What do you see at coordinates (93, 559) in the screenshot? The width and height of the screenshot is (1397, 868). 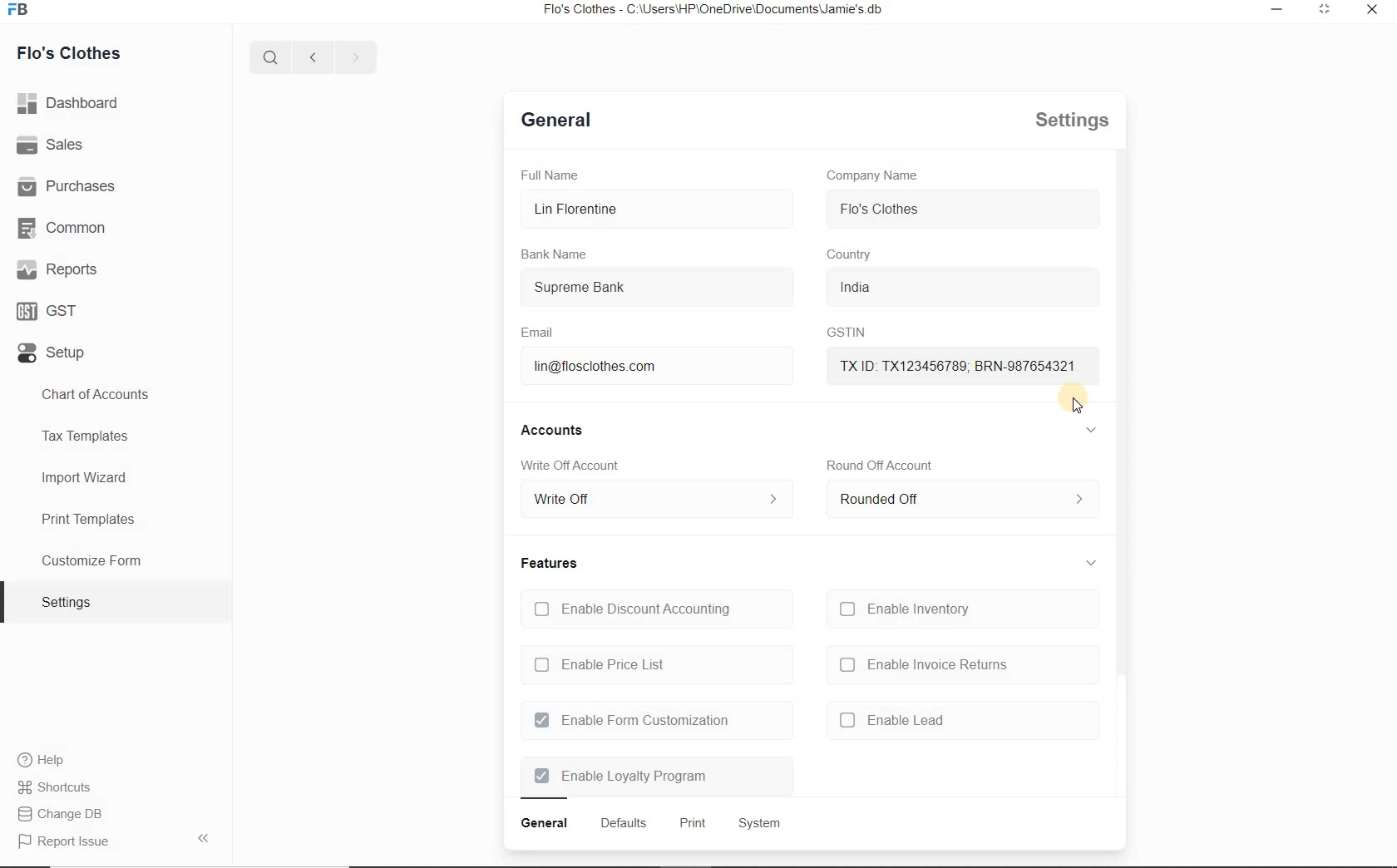 I see `Customize Form` at bounding box center [93, 559].